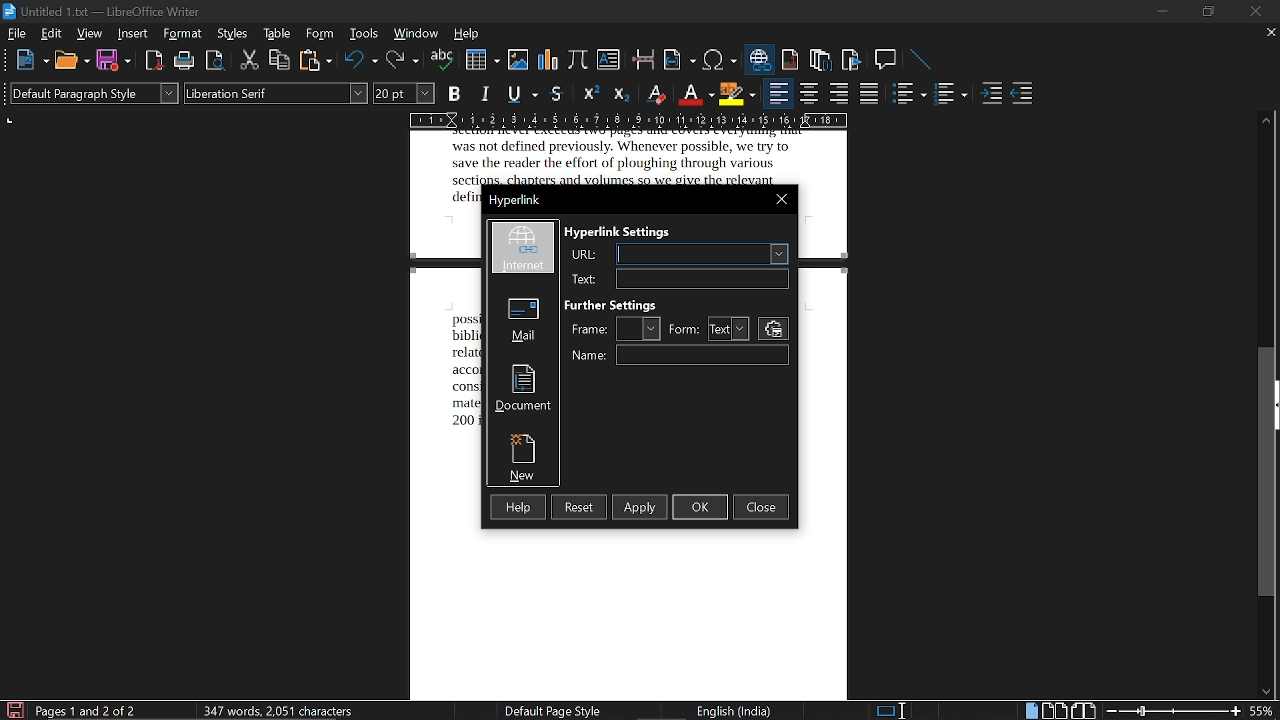  What do you see at coordinates (87, 710) in the screenshot?
I see `current page` at bounding box center [87, 710].